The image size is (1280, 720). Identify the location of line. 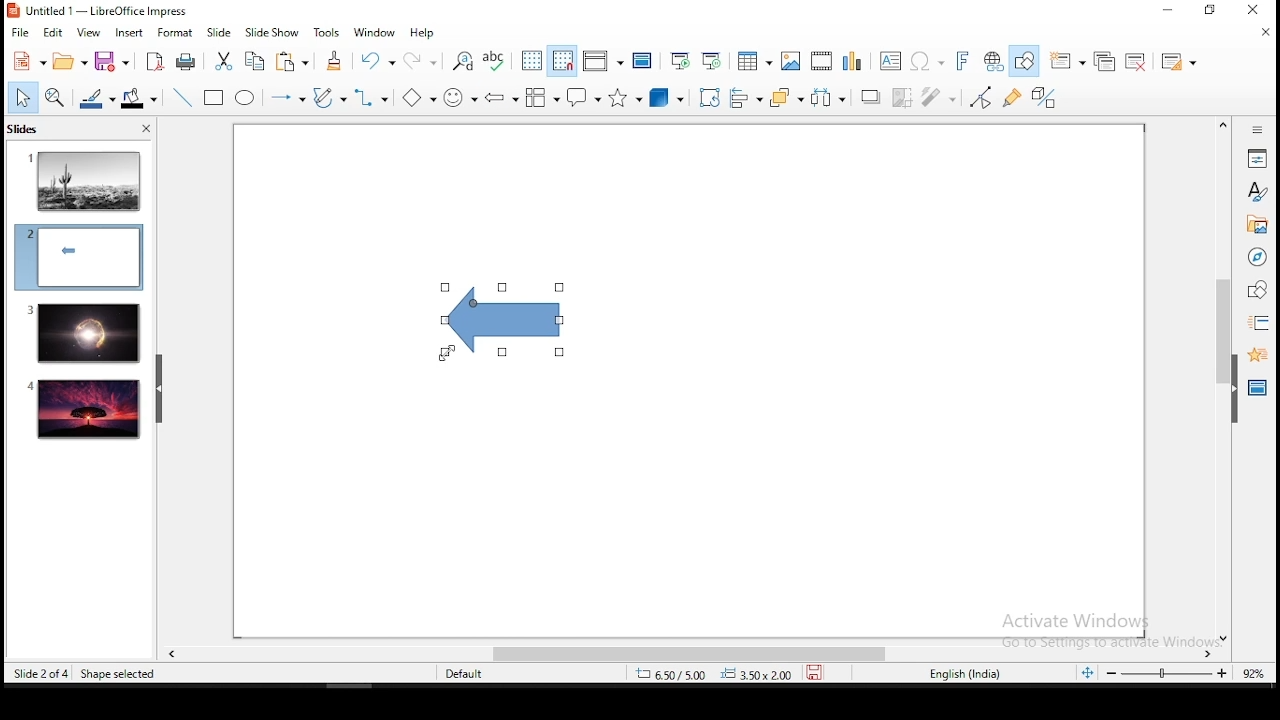
(180, 98).